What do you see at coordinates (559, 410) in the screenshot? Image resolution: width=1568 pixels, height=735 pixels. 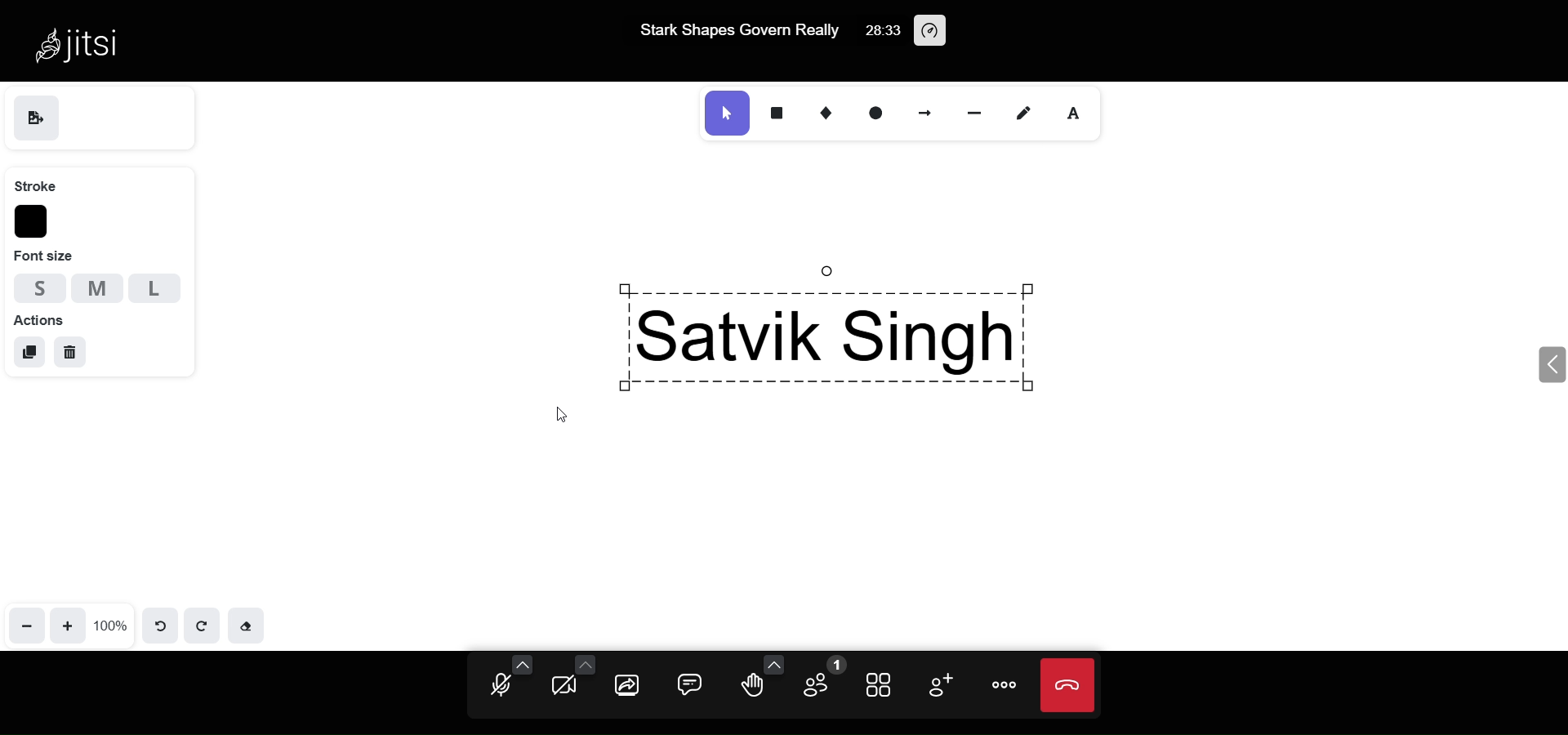 I see `cursor` at bounding box center [559, 410].